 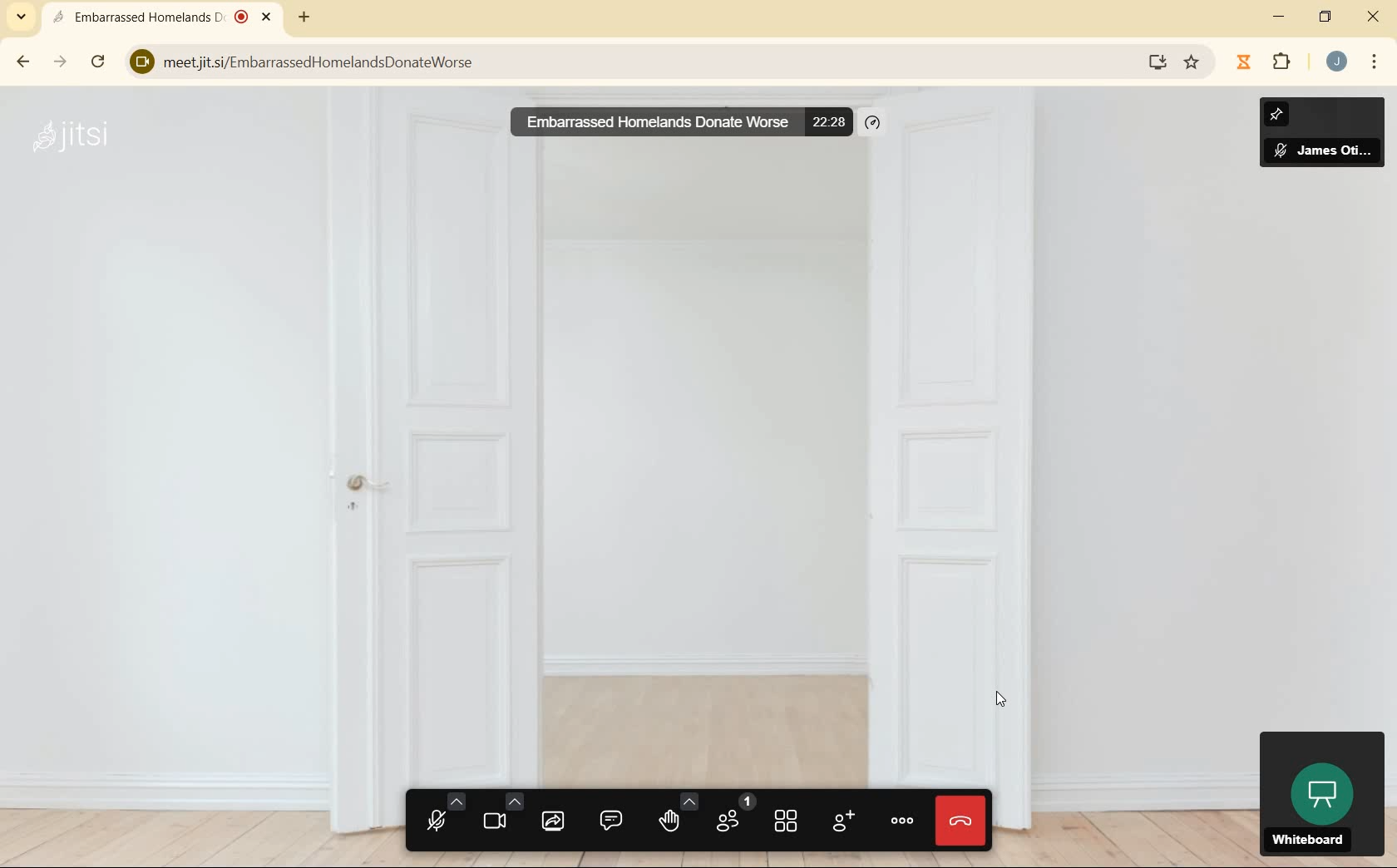 I want to click on reload, so click(x=100, y=62).